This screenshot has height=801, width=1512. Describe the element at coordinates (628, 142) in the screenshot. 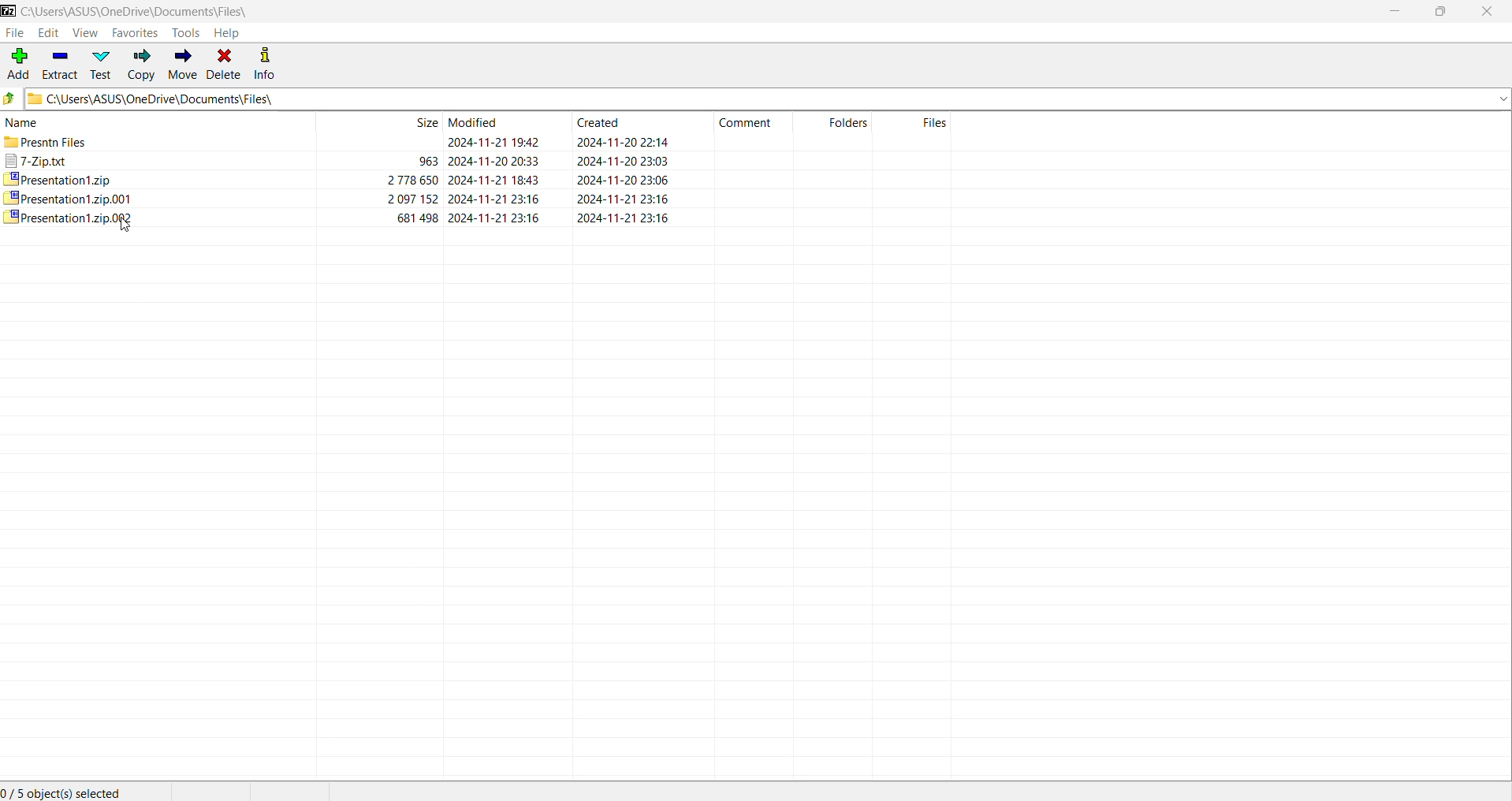

I see `2024-11-20 22:14` at that location.